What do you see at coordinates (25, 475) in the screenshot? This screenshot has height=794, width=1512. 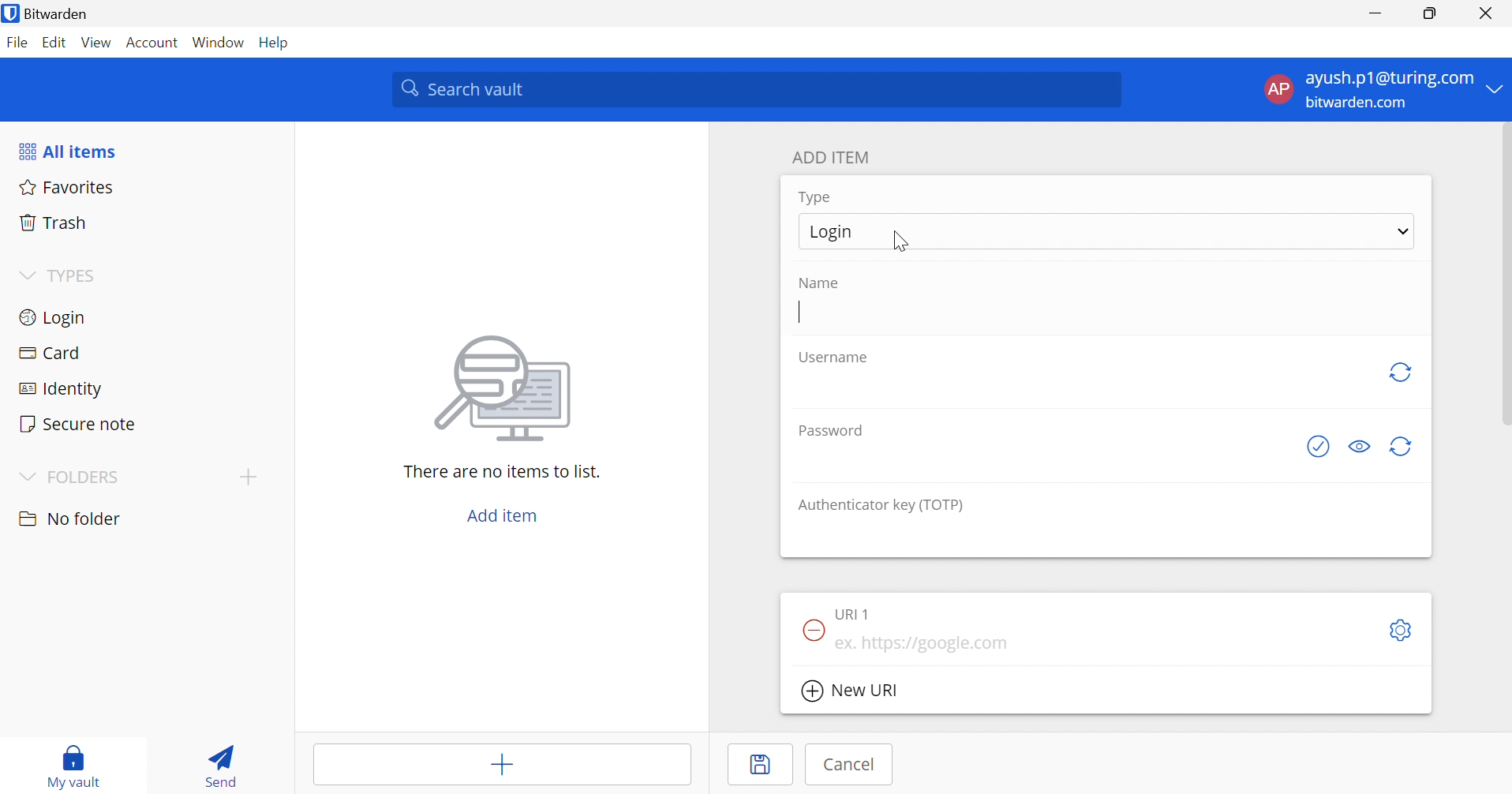 I see `Drop Down` at bounding box center [25, 475].